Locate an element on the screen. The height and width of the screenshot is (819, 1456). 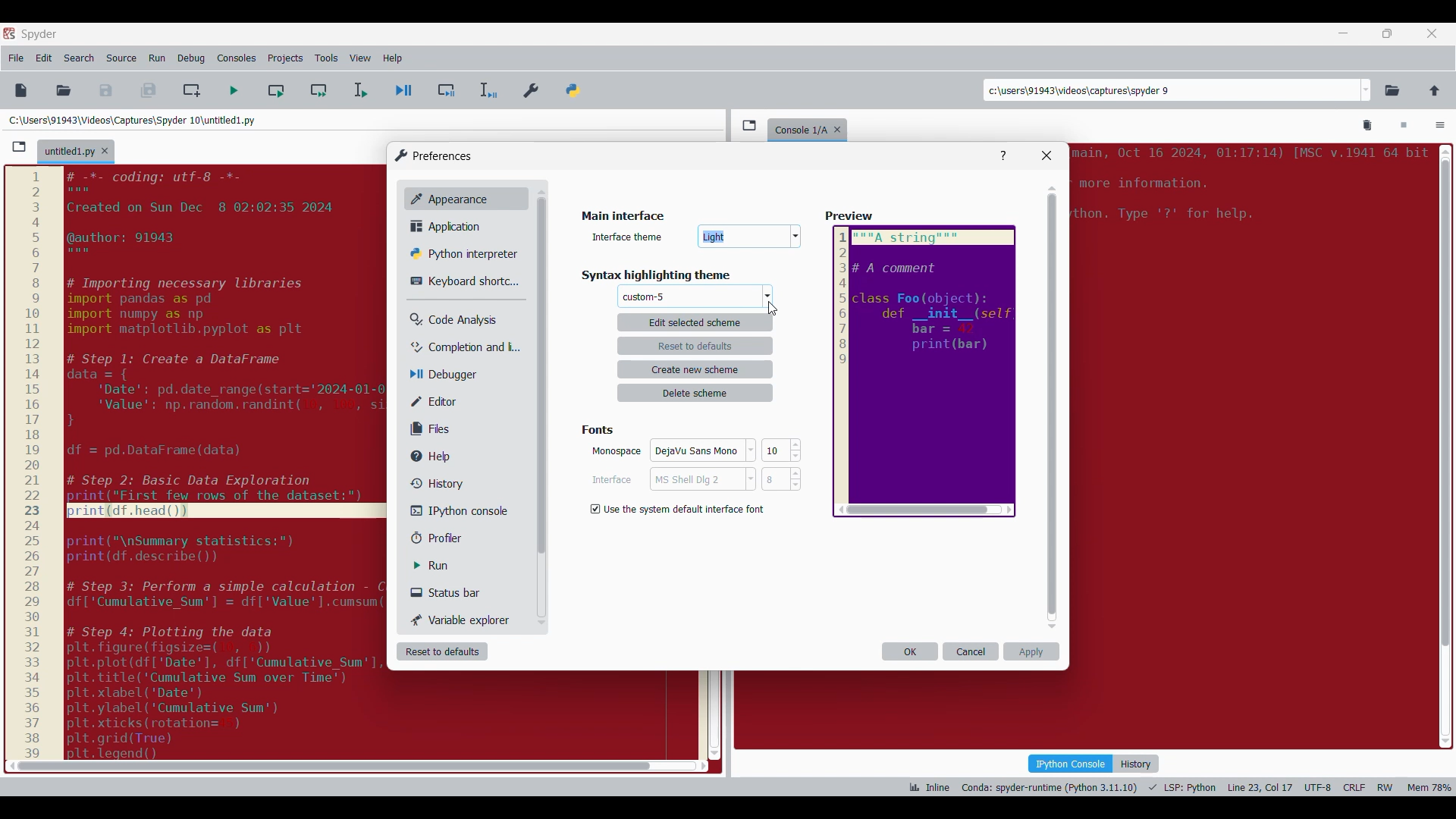
Preferences is located at coordinates (532, 87).